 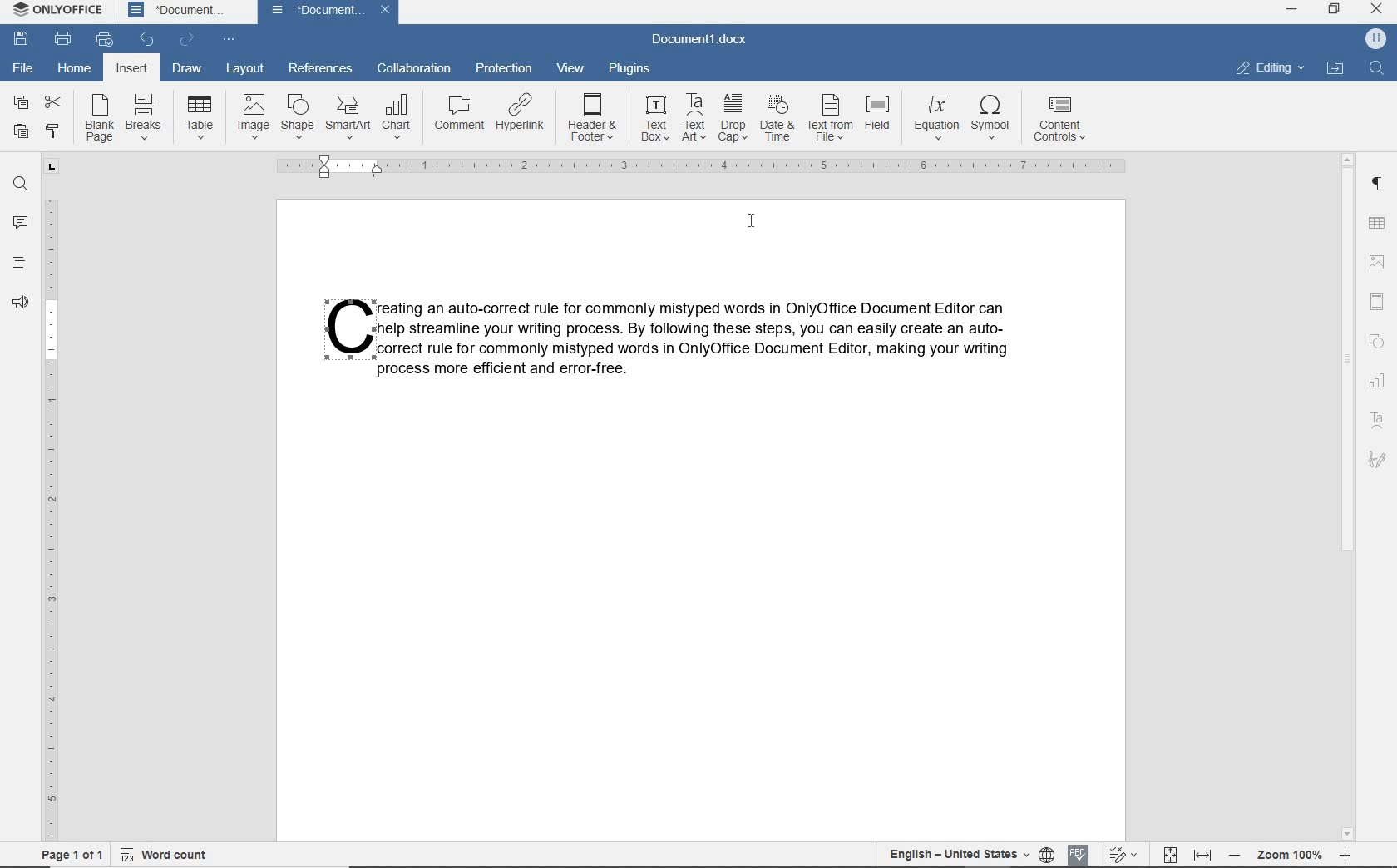 I want to click on drop cap added, so click(x=343, y=330).